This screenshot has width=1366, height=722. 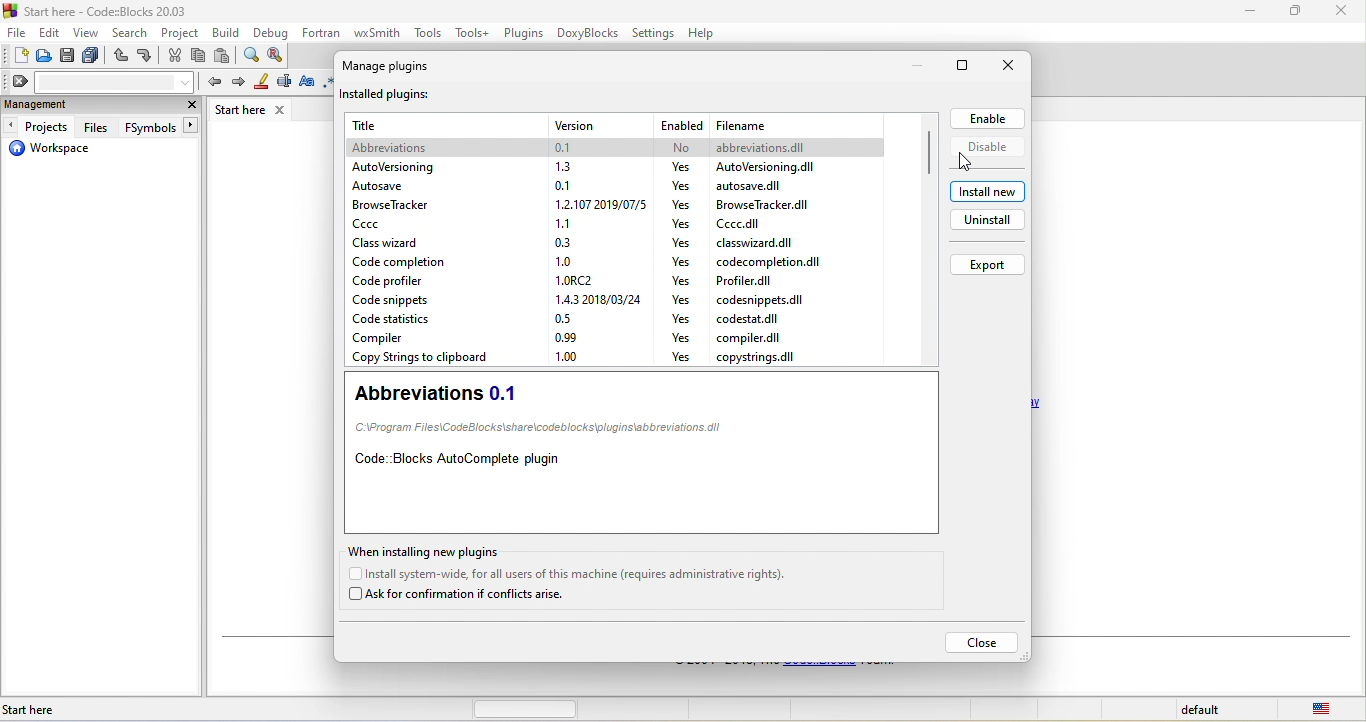 I want to click on yes, so click(x=682, y=222).